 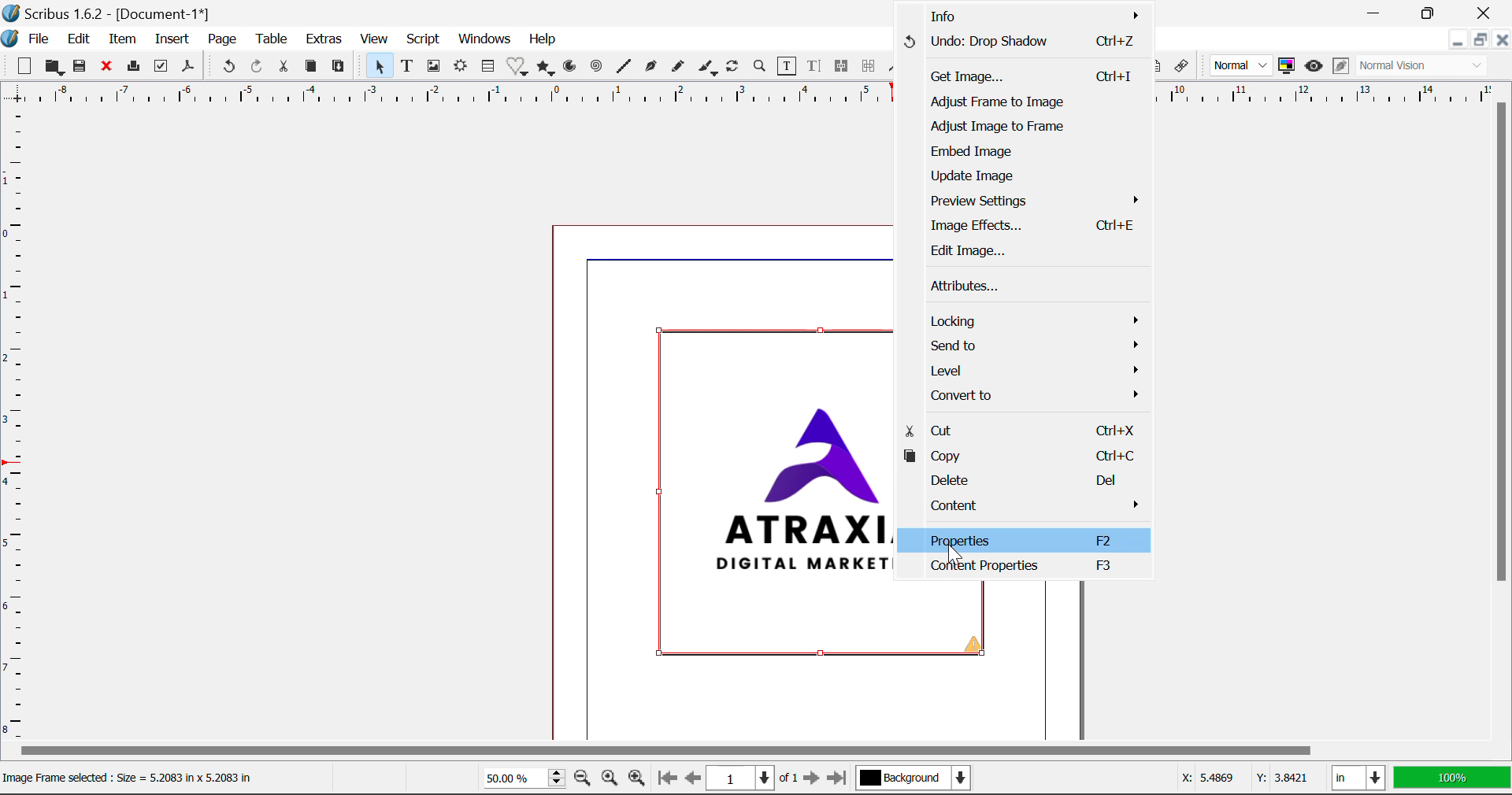 What do you see at coordinates (1422, 65) in the screenshot?
I see `Normal Vision` at bounding box center [1422, 65].